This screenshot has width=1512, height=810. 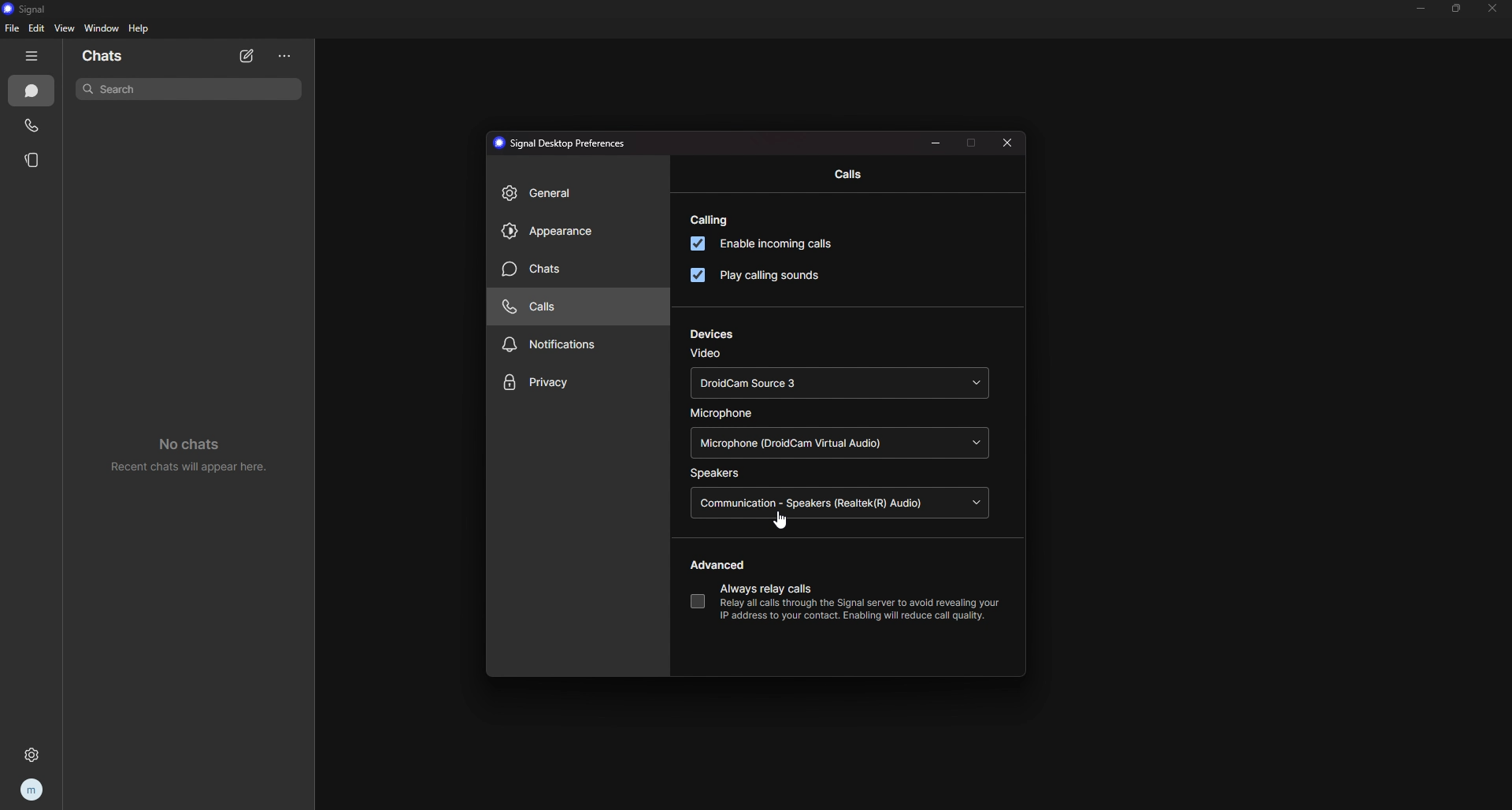 I want to click on microphone, so click(x=725, y=413).